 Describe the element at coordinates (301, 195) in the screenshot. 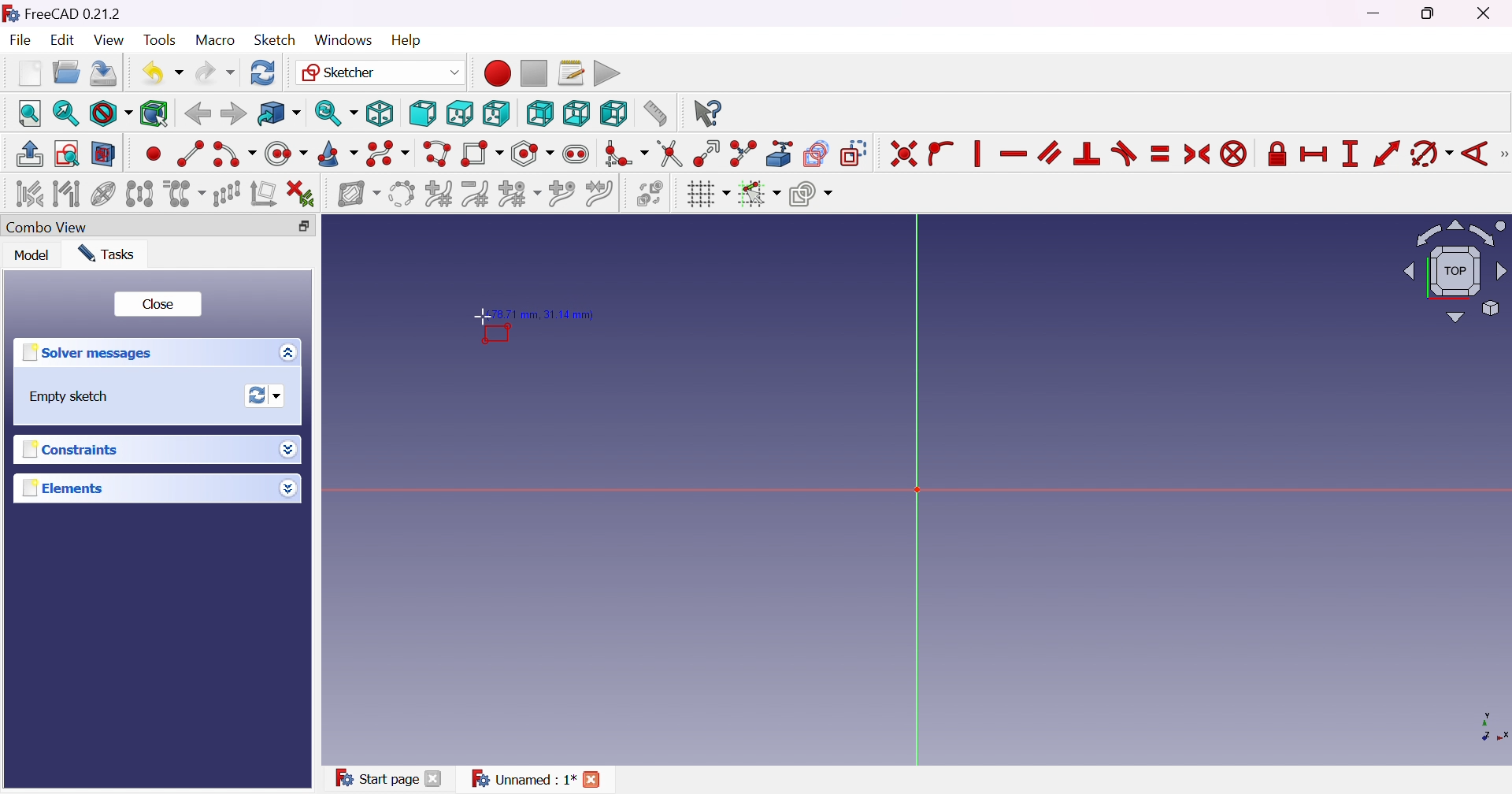

I see `Delete all constraints` at that location.